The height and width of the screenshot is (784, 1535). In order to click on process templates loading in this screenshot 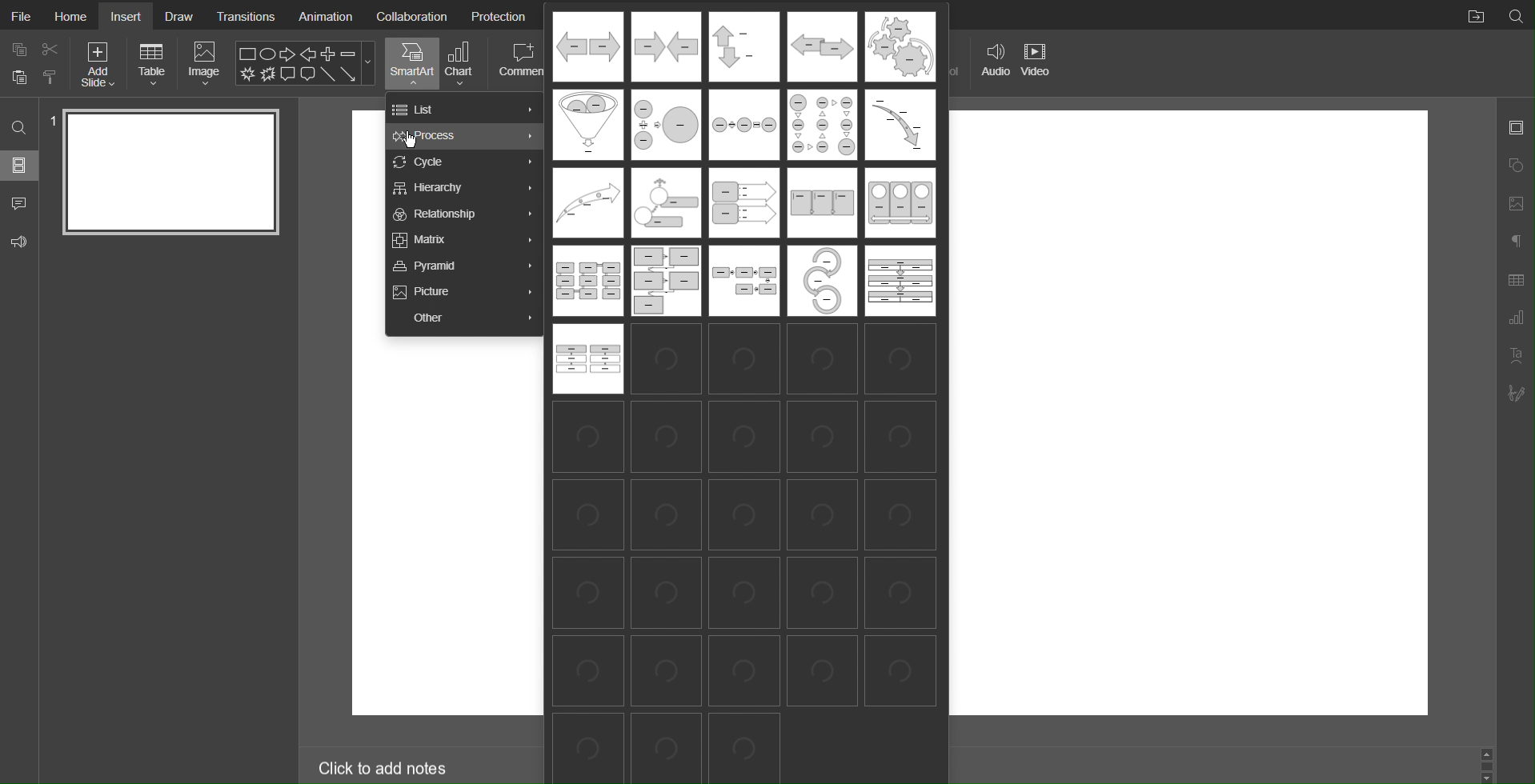, I will do `click(667, 746)`.